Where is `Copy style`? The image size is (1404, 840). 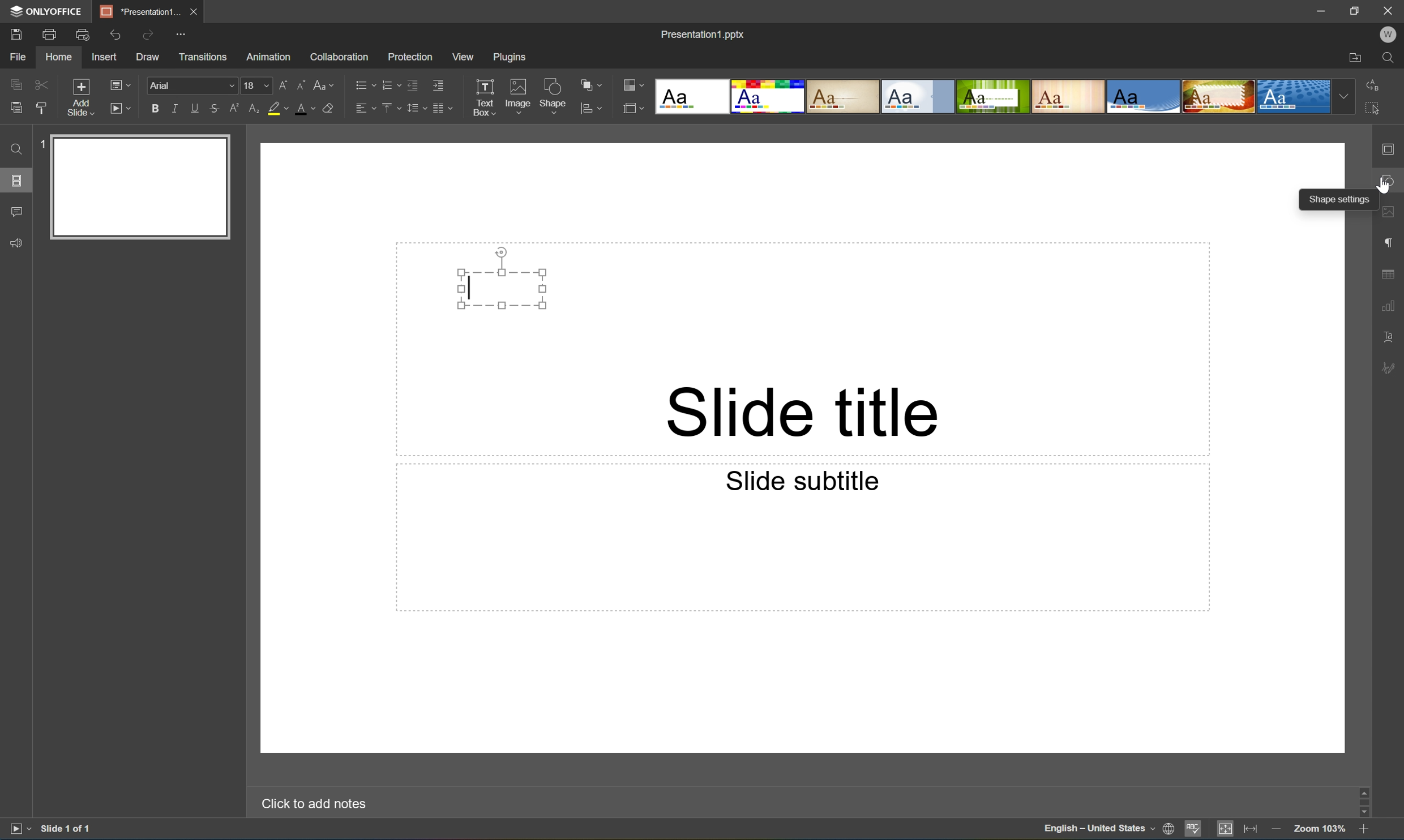 Copy style is located at coordinates (41, 108).